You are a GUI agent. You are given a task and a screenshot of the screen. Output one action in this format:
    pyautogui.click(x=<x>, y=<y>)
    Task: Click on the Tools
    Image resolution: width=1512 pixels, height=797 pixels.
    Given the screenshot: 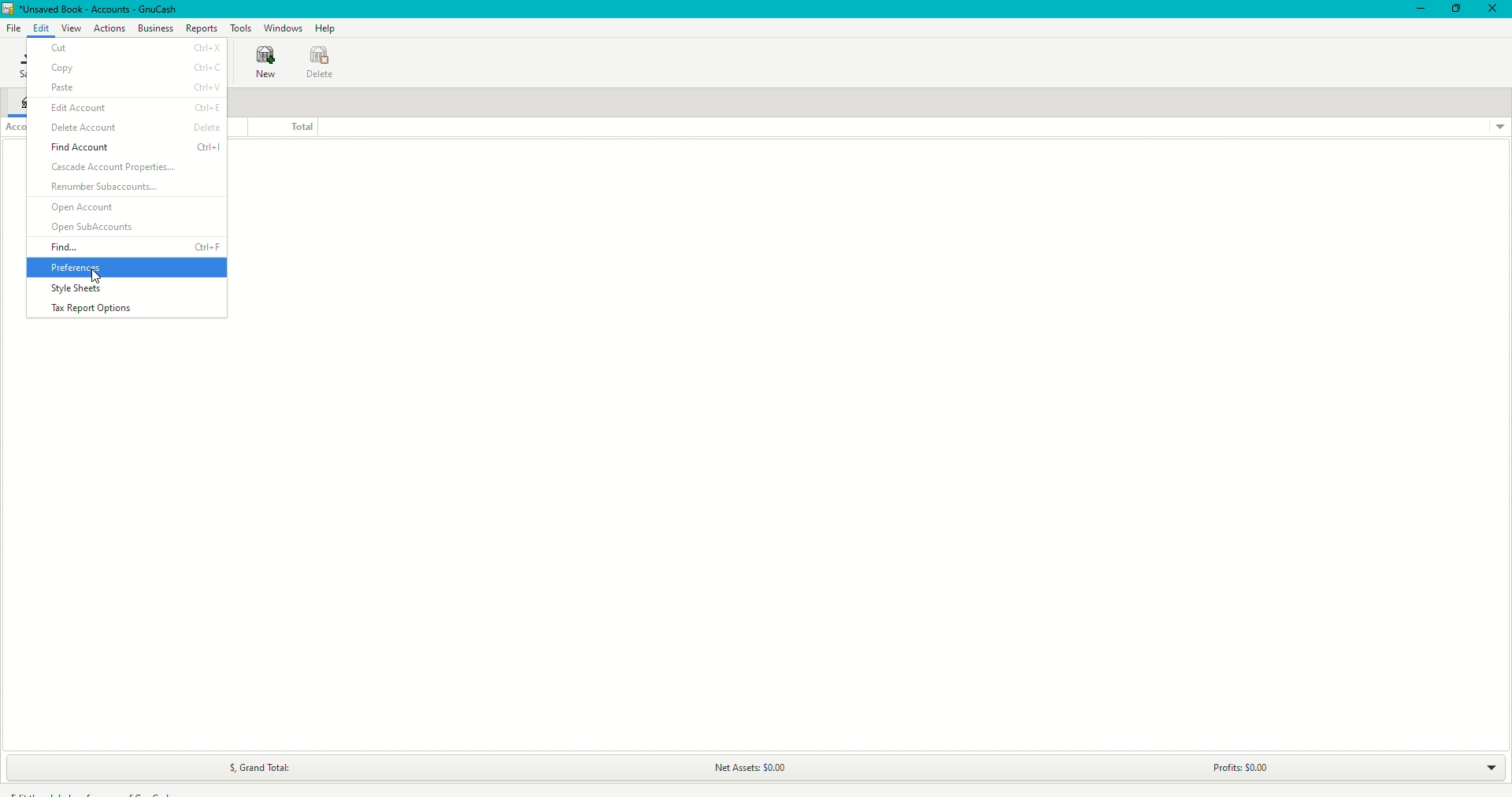 What is the action you would take?
    pyautogui.click(x=243, y=27)
    